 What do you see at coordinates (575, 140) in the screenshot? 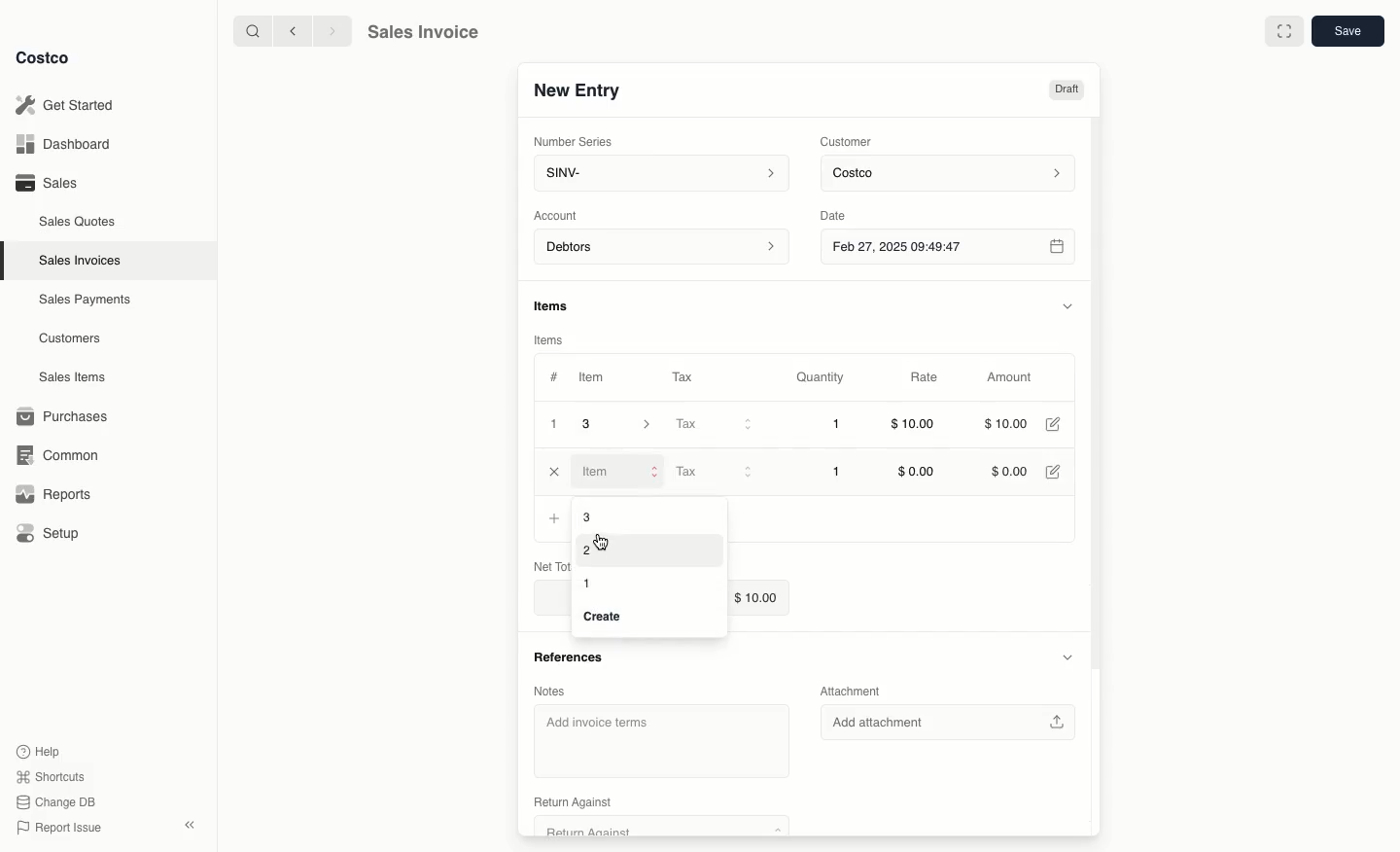
I see `Number Series` at bounding box center [575, 140].